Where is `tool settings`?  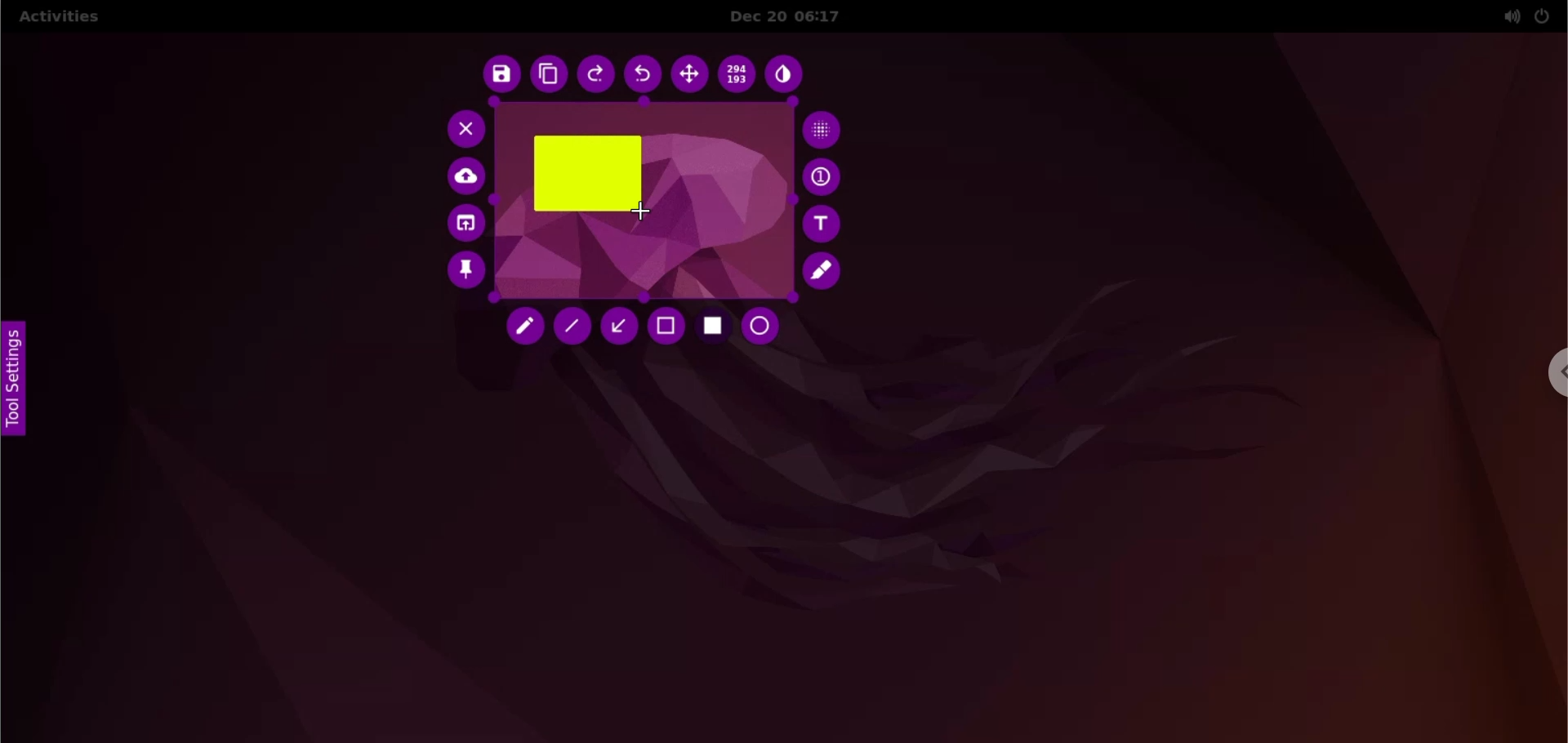 tool settings is located at coordinates (20, 380).